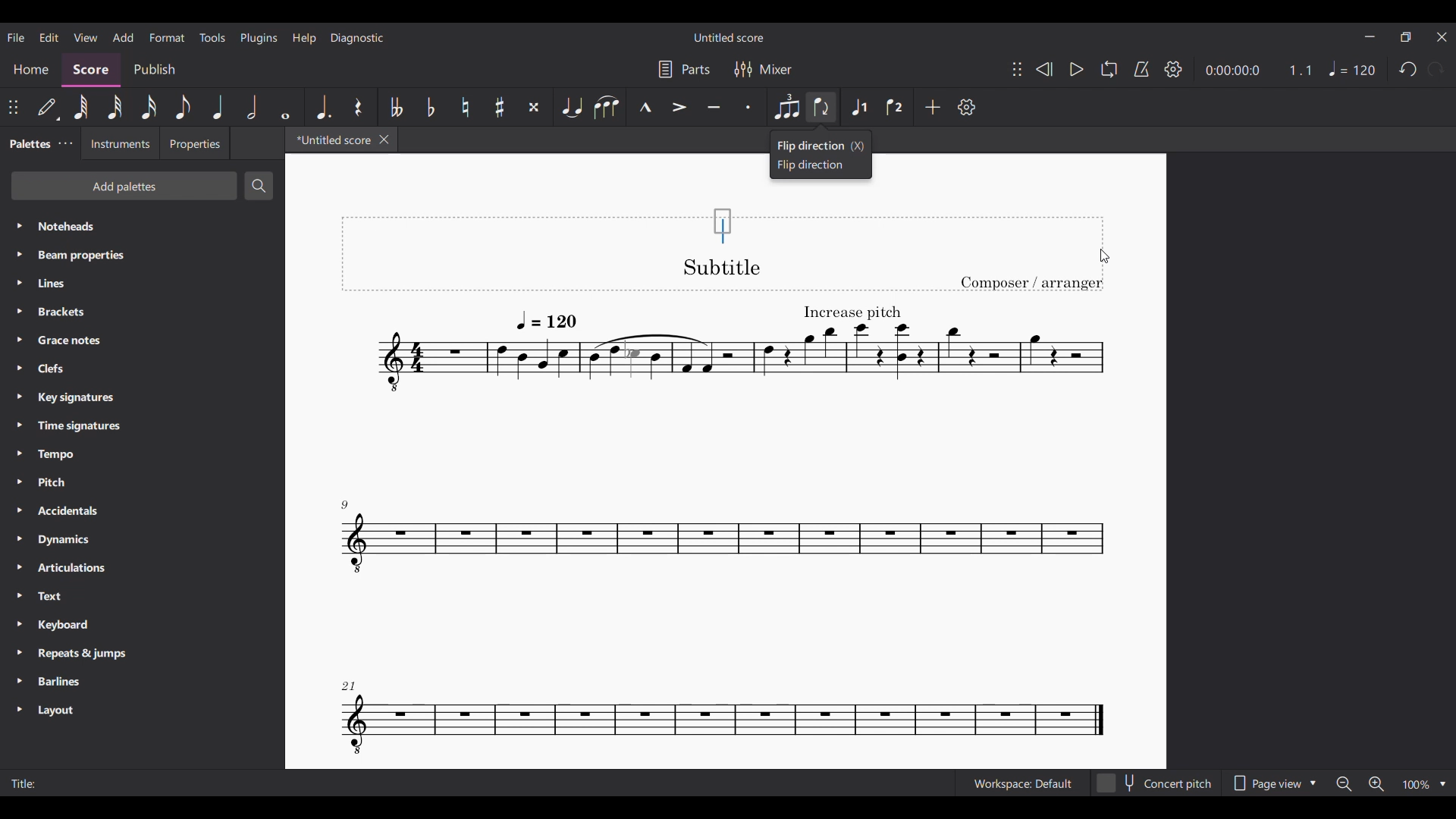 This screenshot has width=1456, height=819. What do you see at coordinates (194, 143) in the screenshot?
I see `Properties` at bounding box center [194, 143].